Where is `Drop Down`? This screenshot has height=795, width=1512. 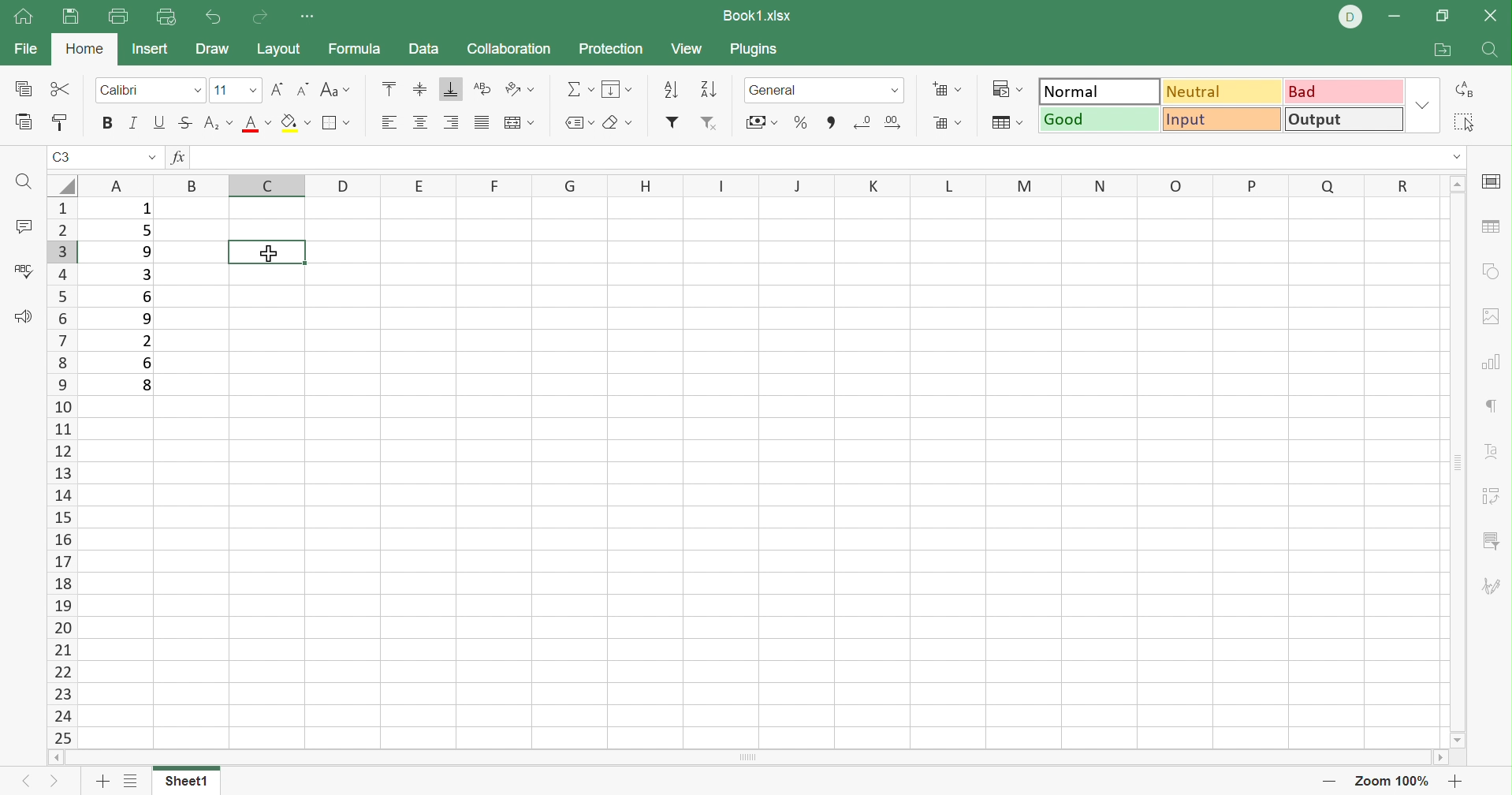
Drop Down is located at coordinates (151, 159).